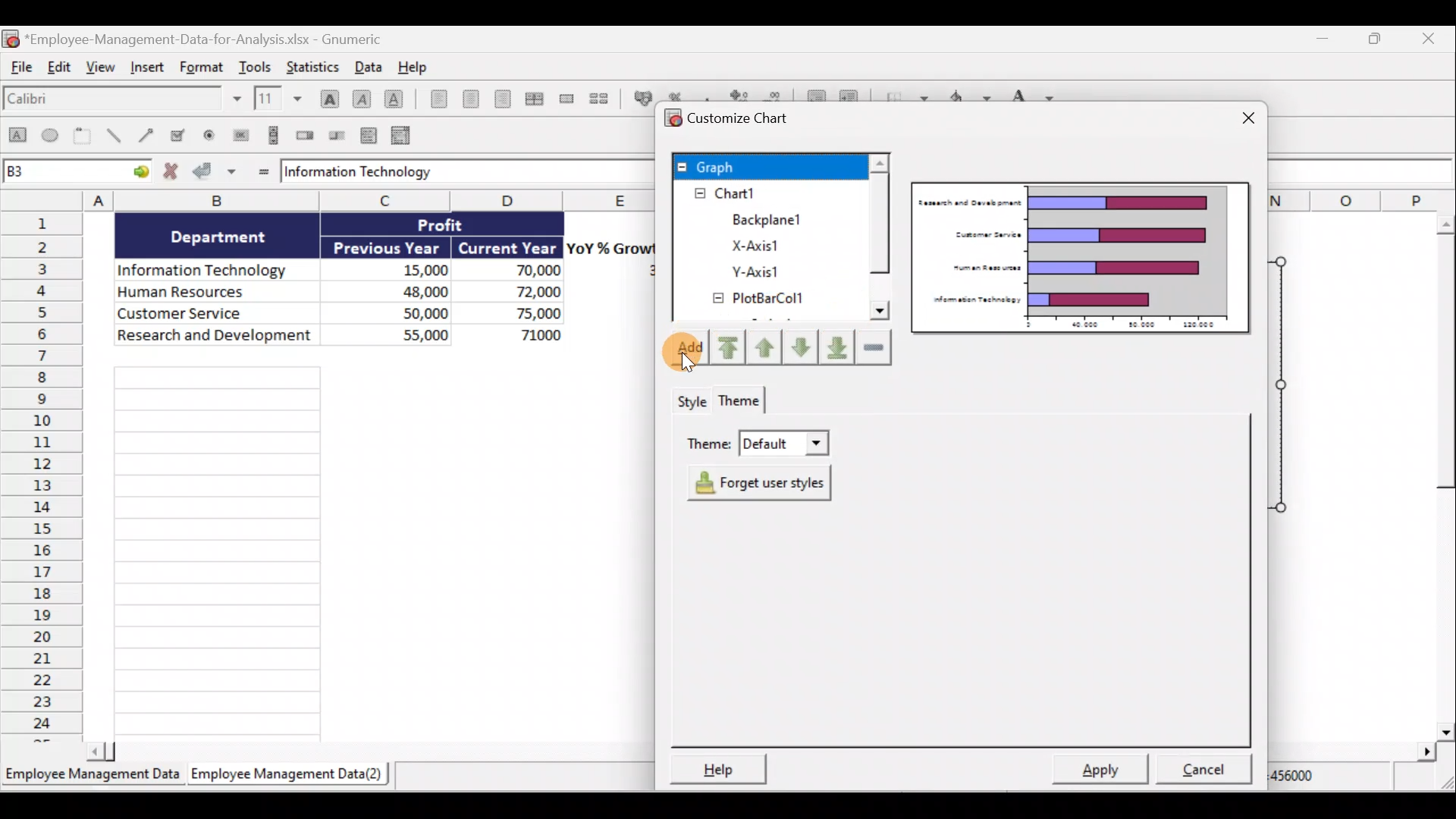  I want to click on Create a frame, so click(83, 135).